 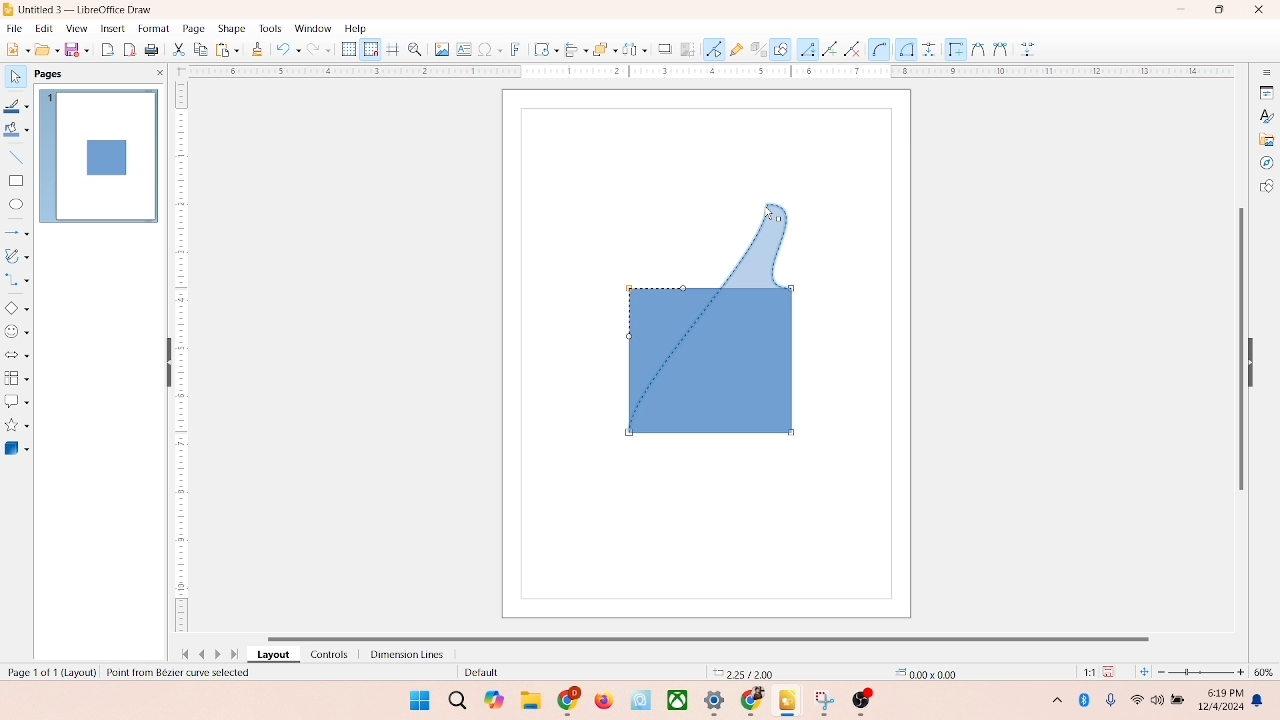 I want to click on copy, so click(x=200, y=51).